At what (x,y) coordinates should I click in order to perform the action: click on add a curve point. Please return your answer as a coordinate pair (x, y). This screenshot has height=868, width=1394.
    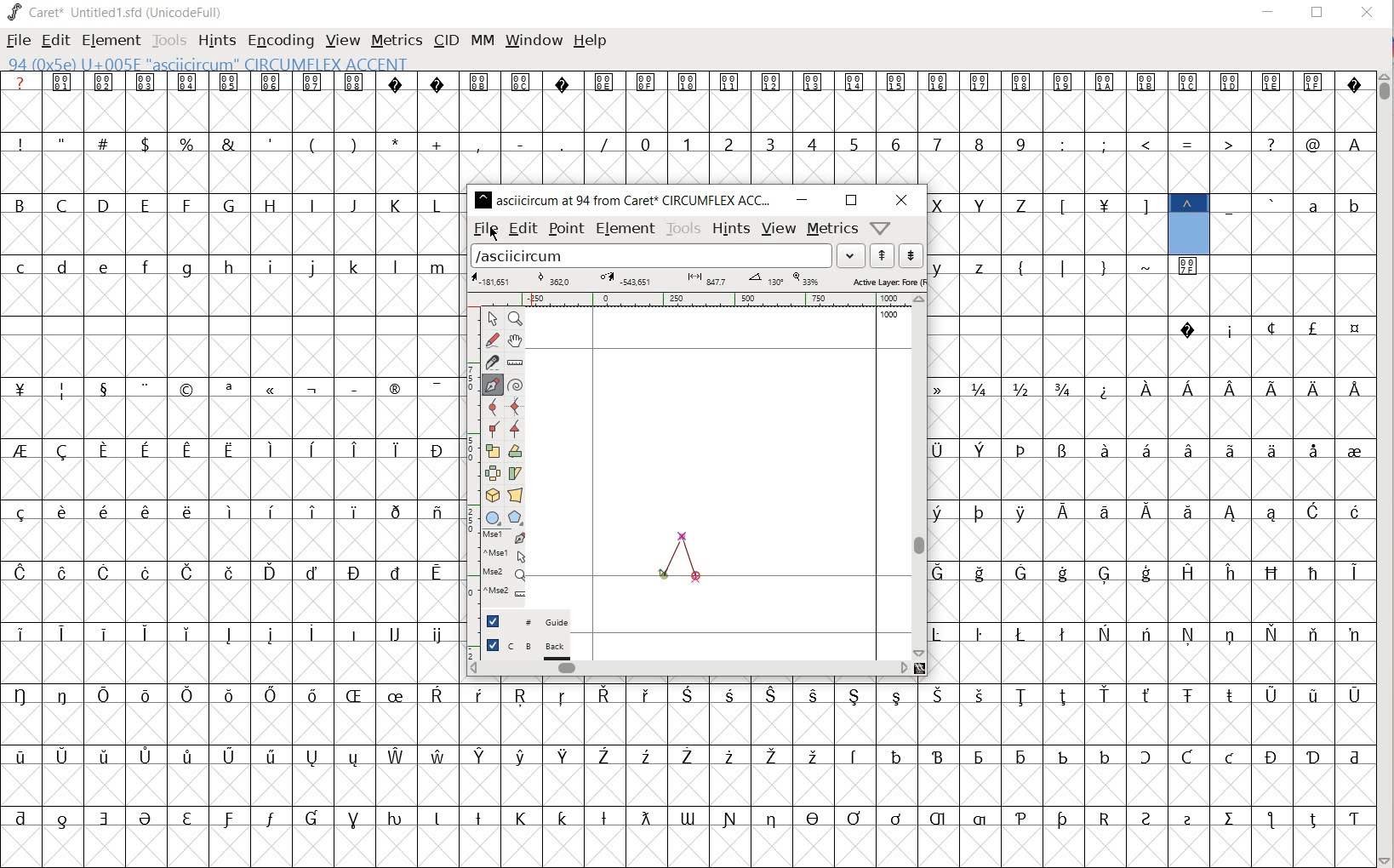
    Looking at the image, I should click on (494, 408).